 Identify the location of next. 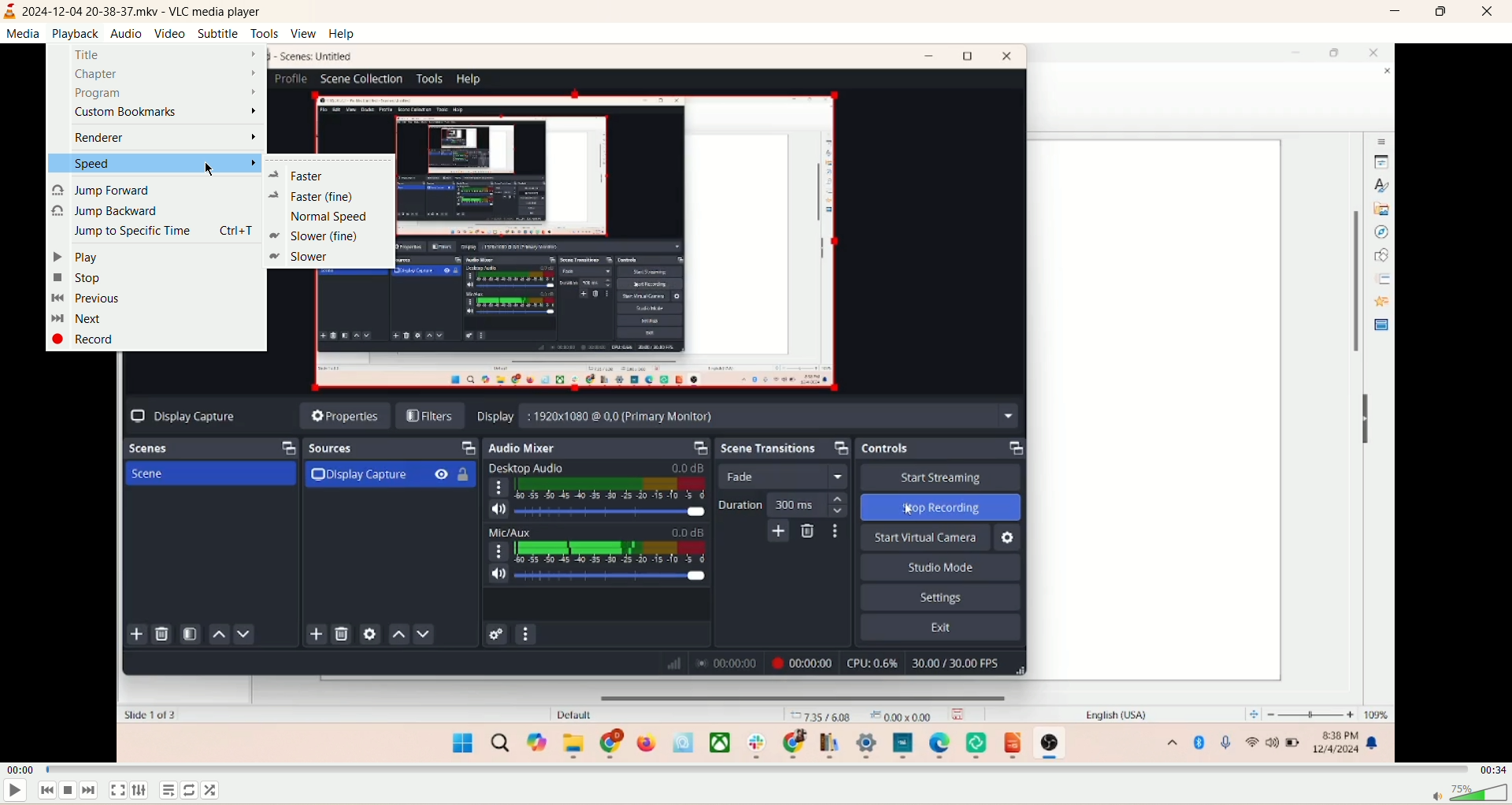
(91, 791).